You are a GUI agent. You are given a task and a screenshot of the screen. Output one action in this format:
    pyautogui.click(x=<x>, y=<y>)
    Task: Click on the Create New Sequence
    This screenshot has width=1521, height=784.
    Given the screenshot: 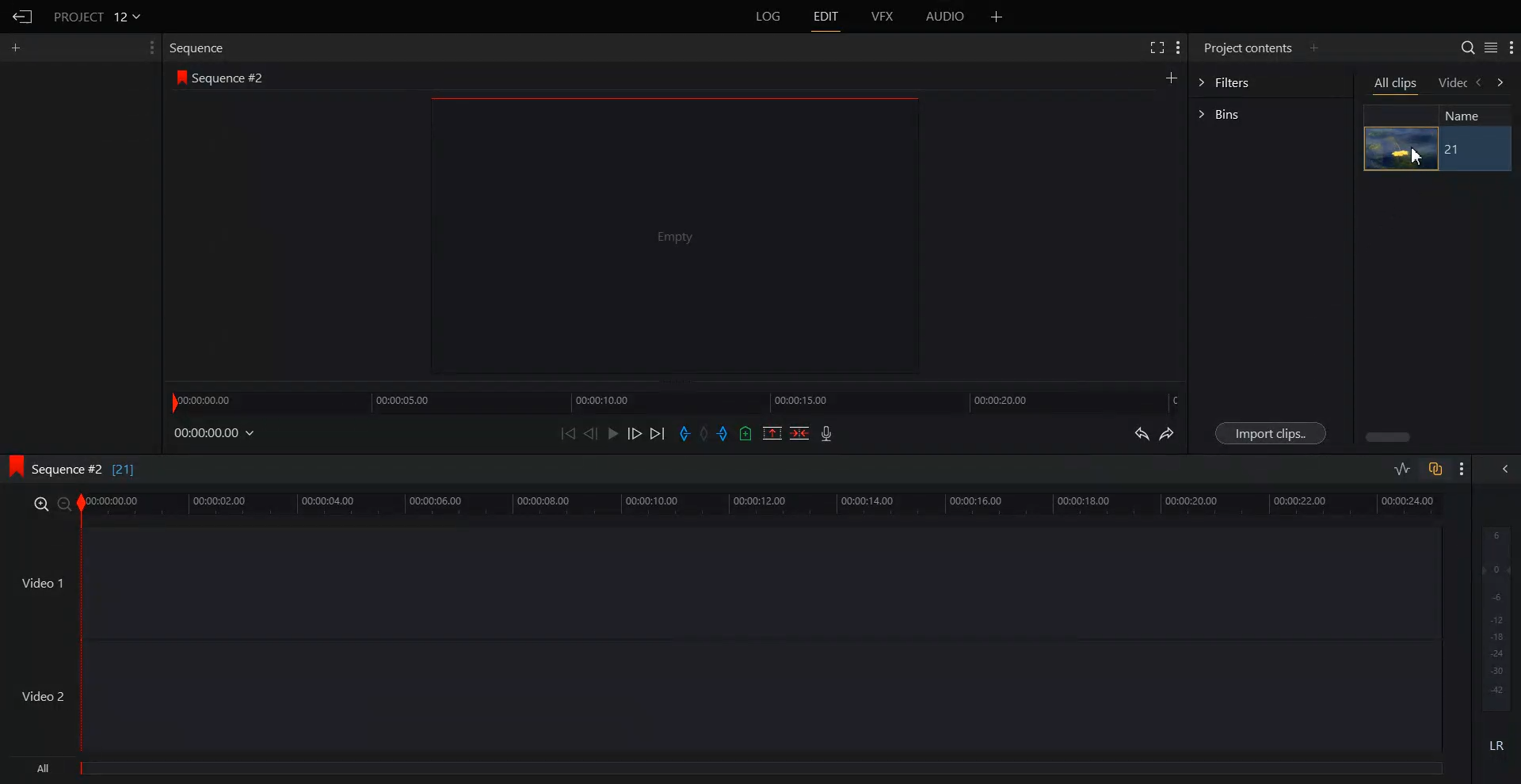 What is the action you would take?
    pyautogui.click(x=1173, y=77)
    